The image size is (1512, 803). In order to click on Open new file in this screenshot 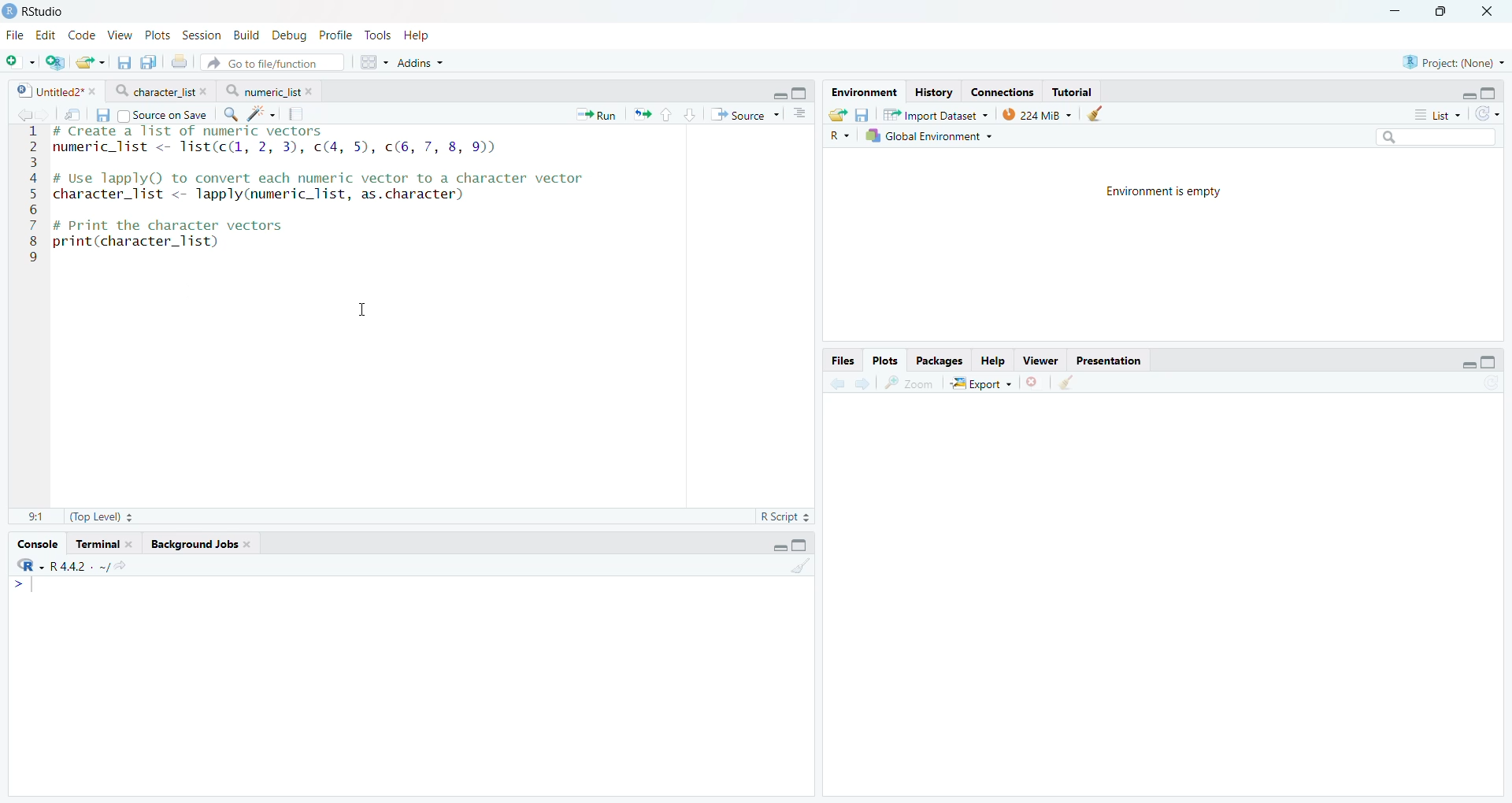, I will do `click(20, 62)`.